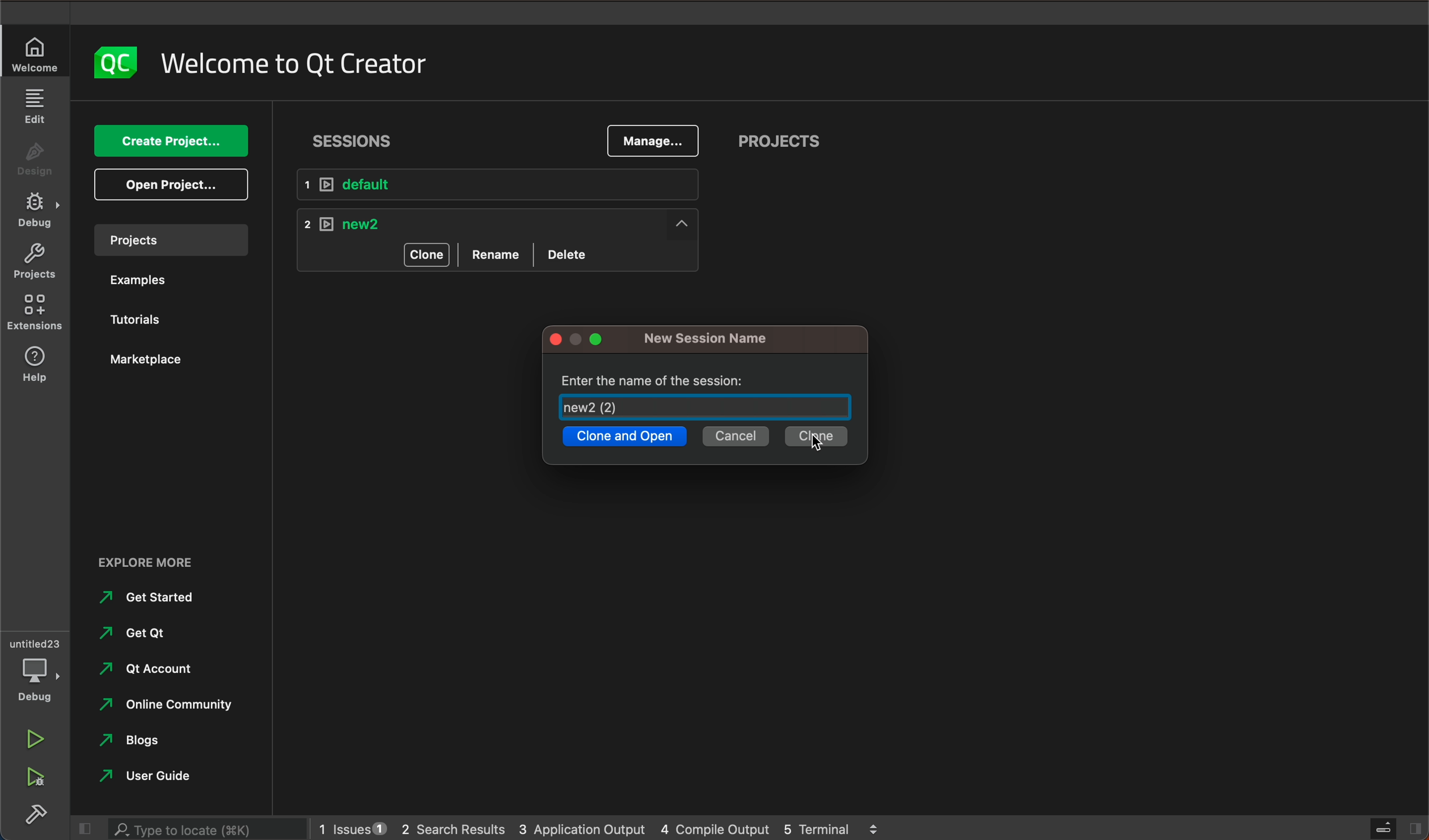  I want to click on compile output, so click(712, 828).